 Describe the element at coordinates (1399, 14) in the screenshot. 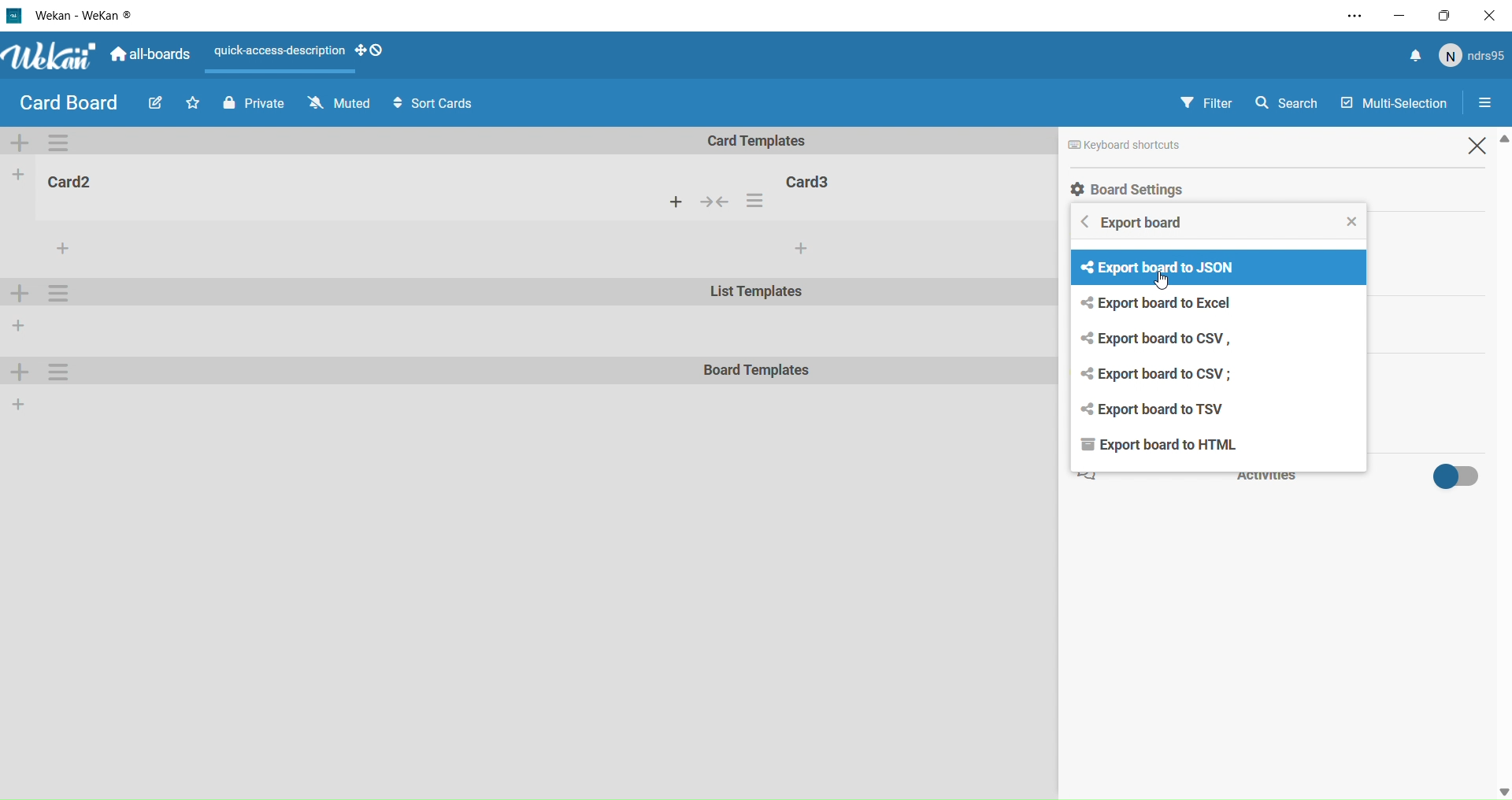

I see `minimize` at that location.